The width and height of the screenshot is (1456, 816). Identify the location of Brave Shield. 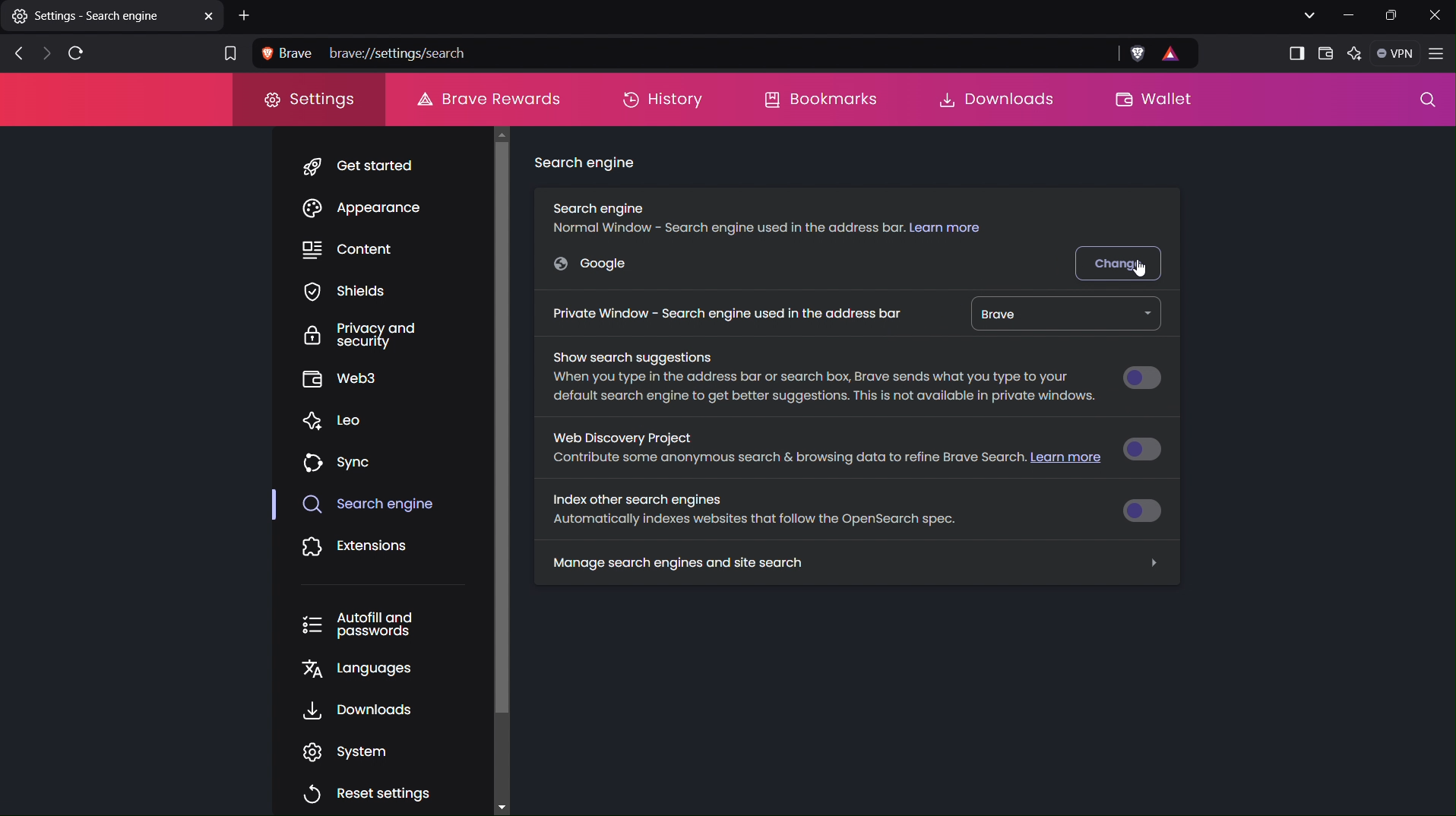
(1137, 54).